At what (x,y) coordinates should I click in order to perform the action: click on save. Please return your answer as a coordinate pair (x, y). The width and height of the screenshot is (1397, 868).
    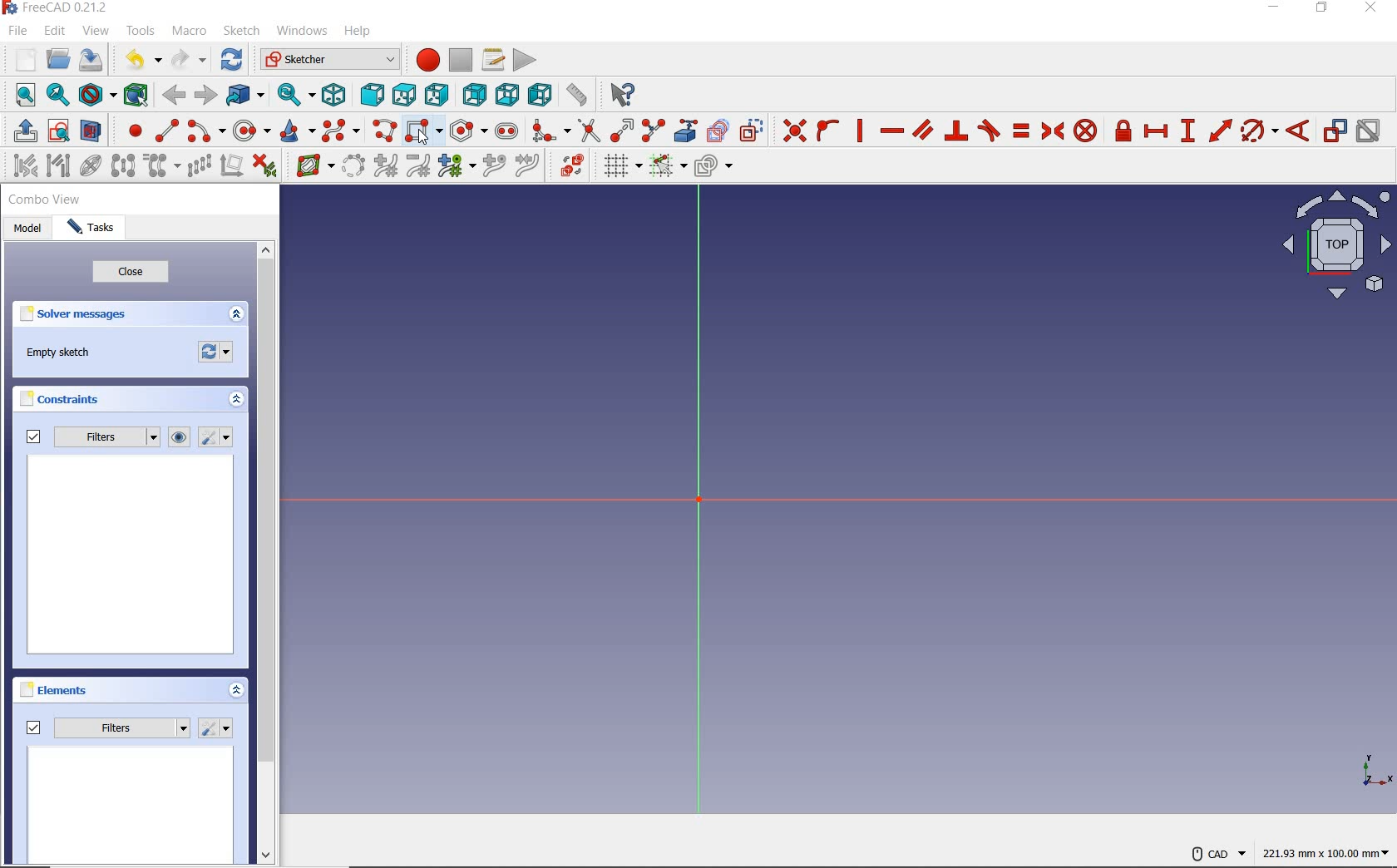
    Looking at the image, I should click on (91, 59).